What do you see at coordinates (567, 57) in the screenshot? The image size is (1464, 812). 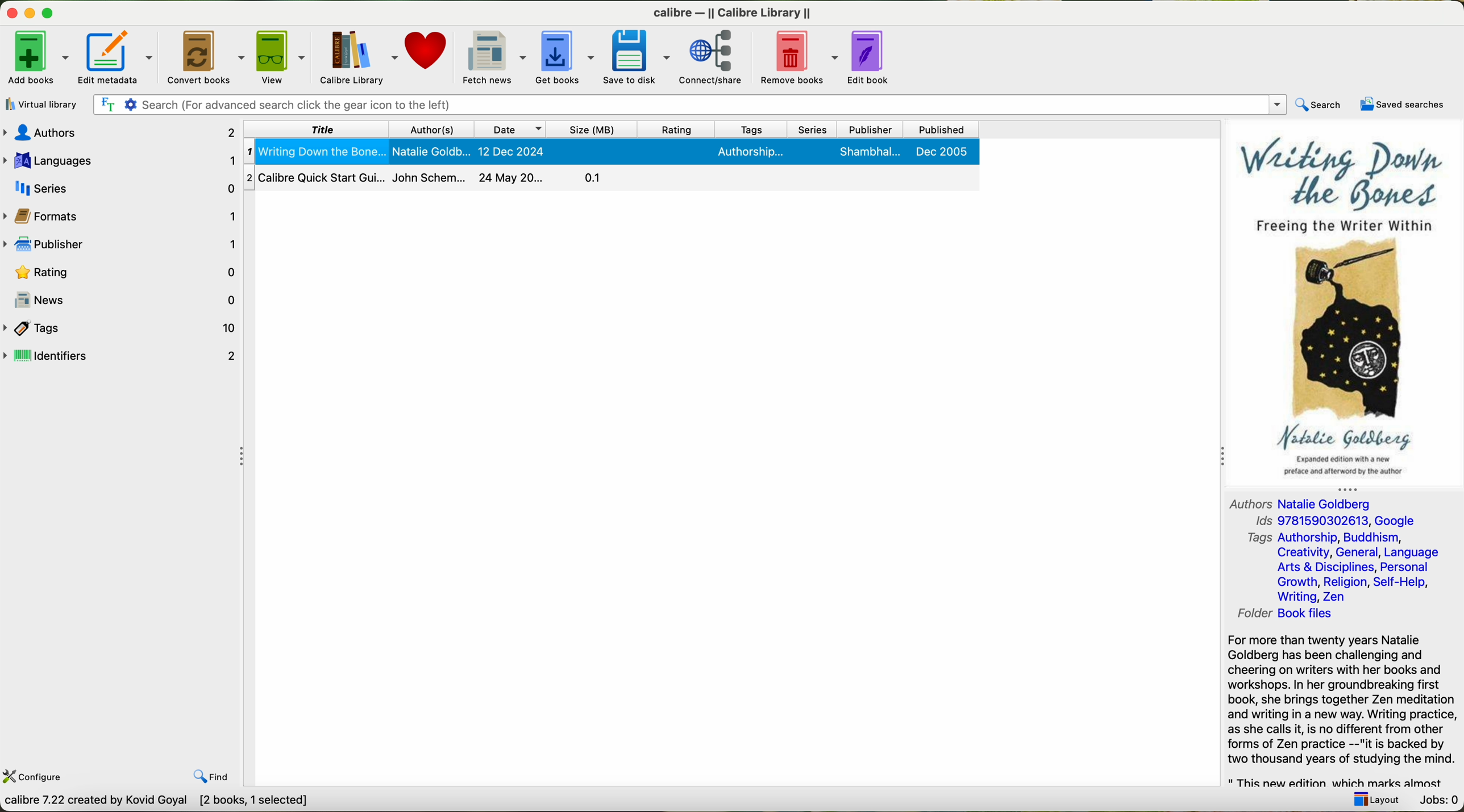 I see `get books` at bounding box center [567, 57].